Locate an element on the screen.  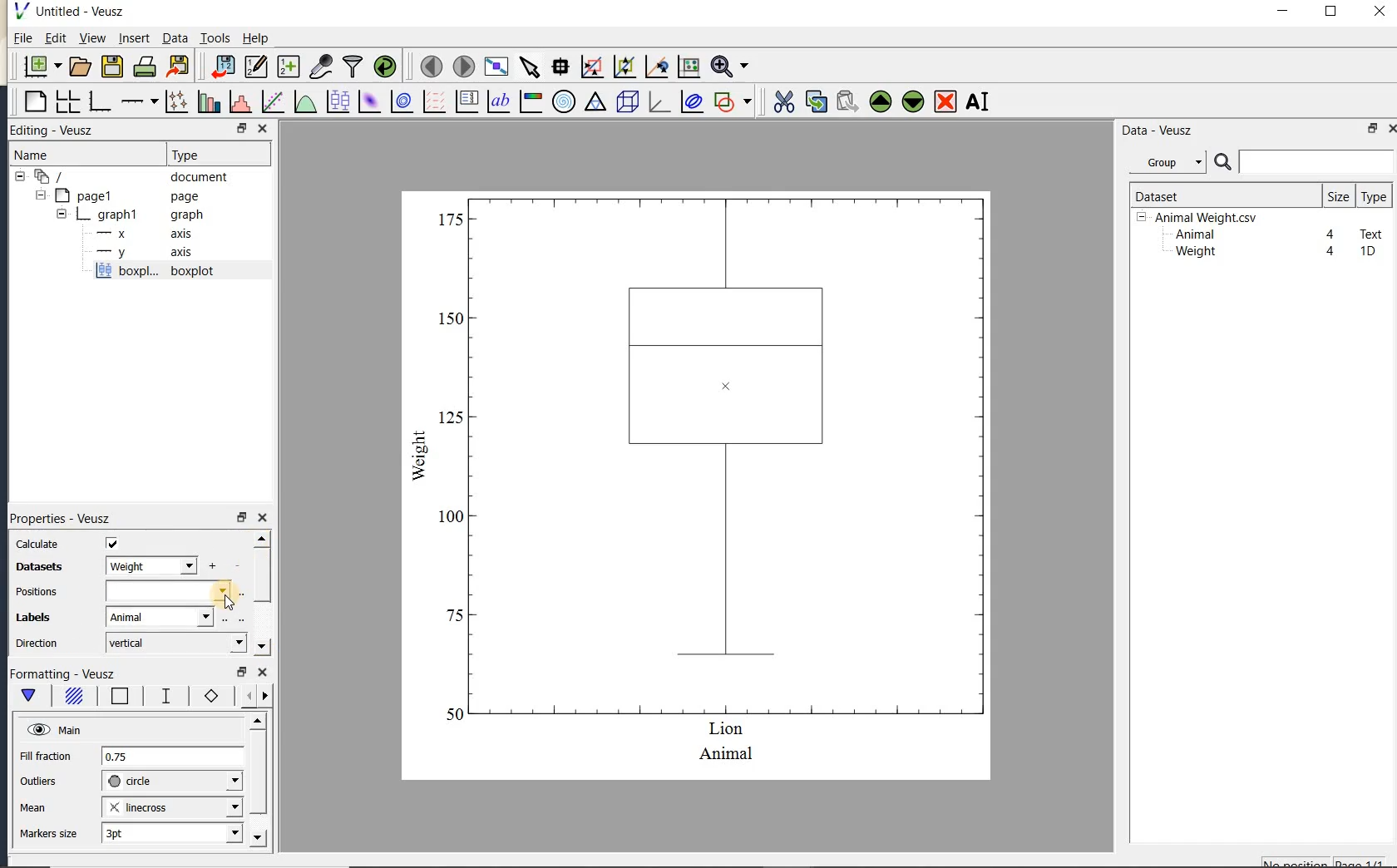
Labels is located at coordinates (36, 618).